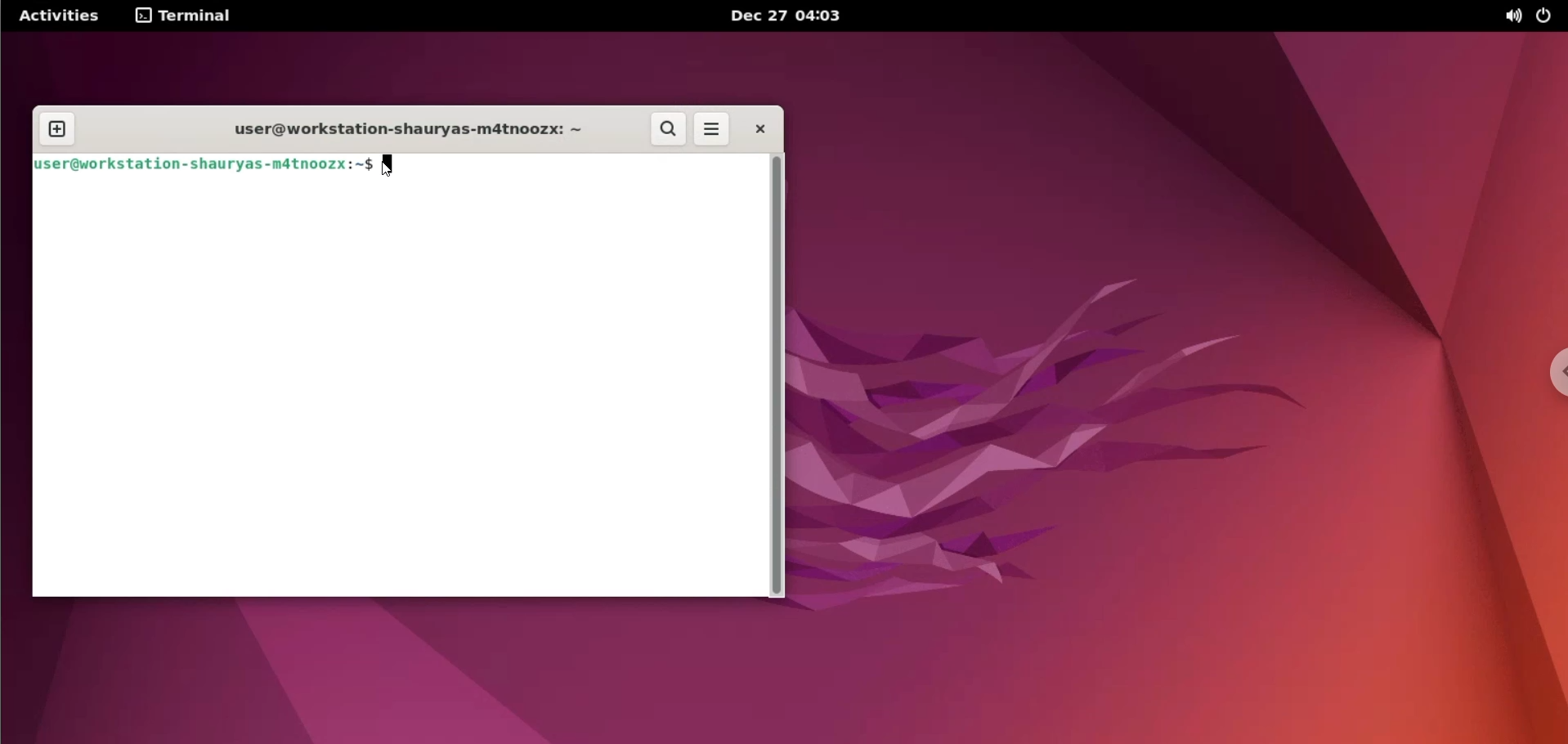 This screenshot has width=1568, height=744. Describe the element at coordinates (711, 130) in the screenshot. I see `more options` at that location.